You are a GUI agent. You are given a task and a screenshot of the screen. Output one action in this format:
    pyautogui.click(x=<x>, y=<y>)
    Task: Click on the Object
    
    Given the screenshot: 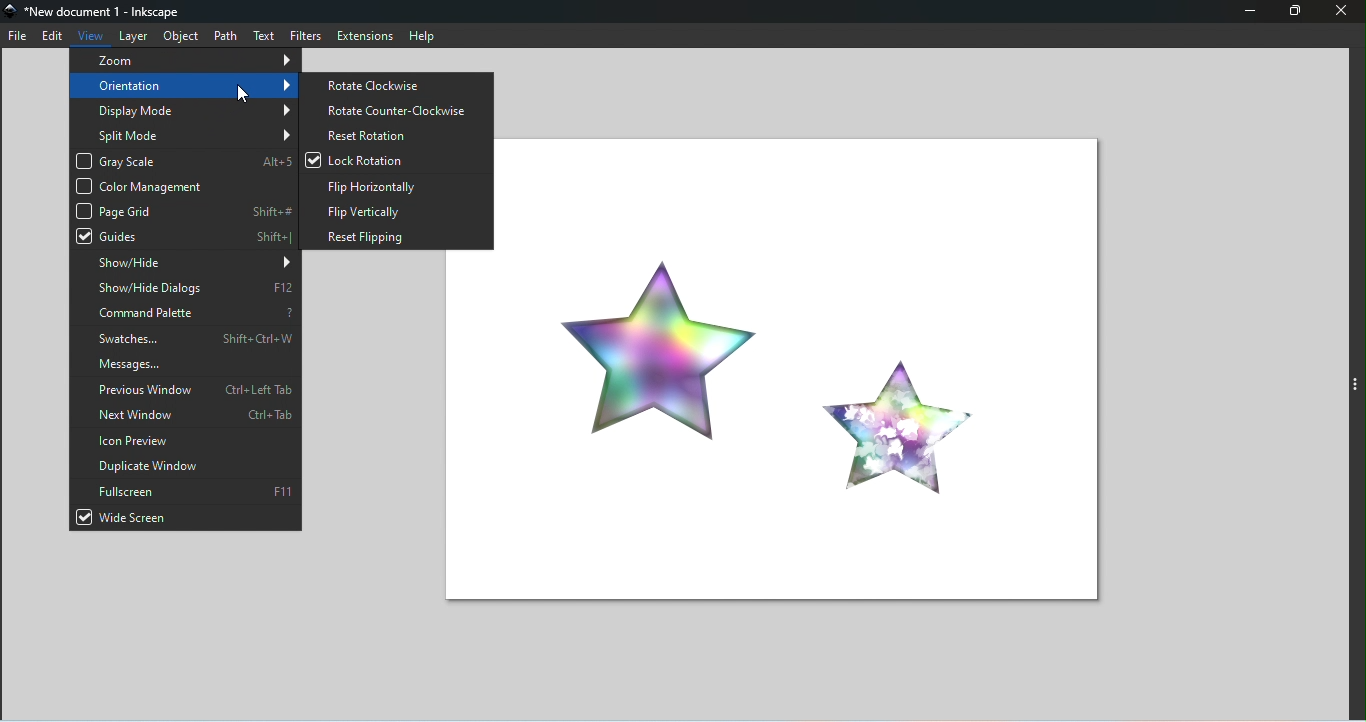 What is the action you would take?
    pyautogui.click(x=181, y=36)
    